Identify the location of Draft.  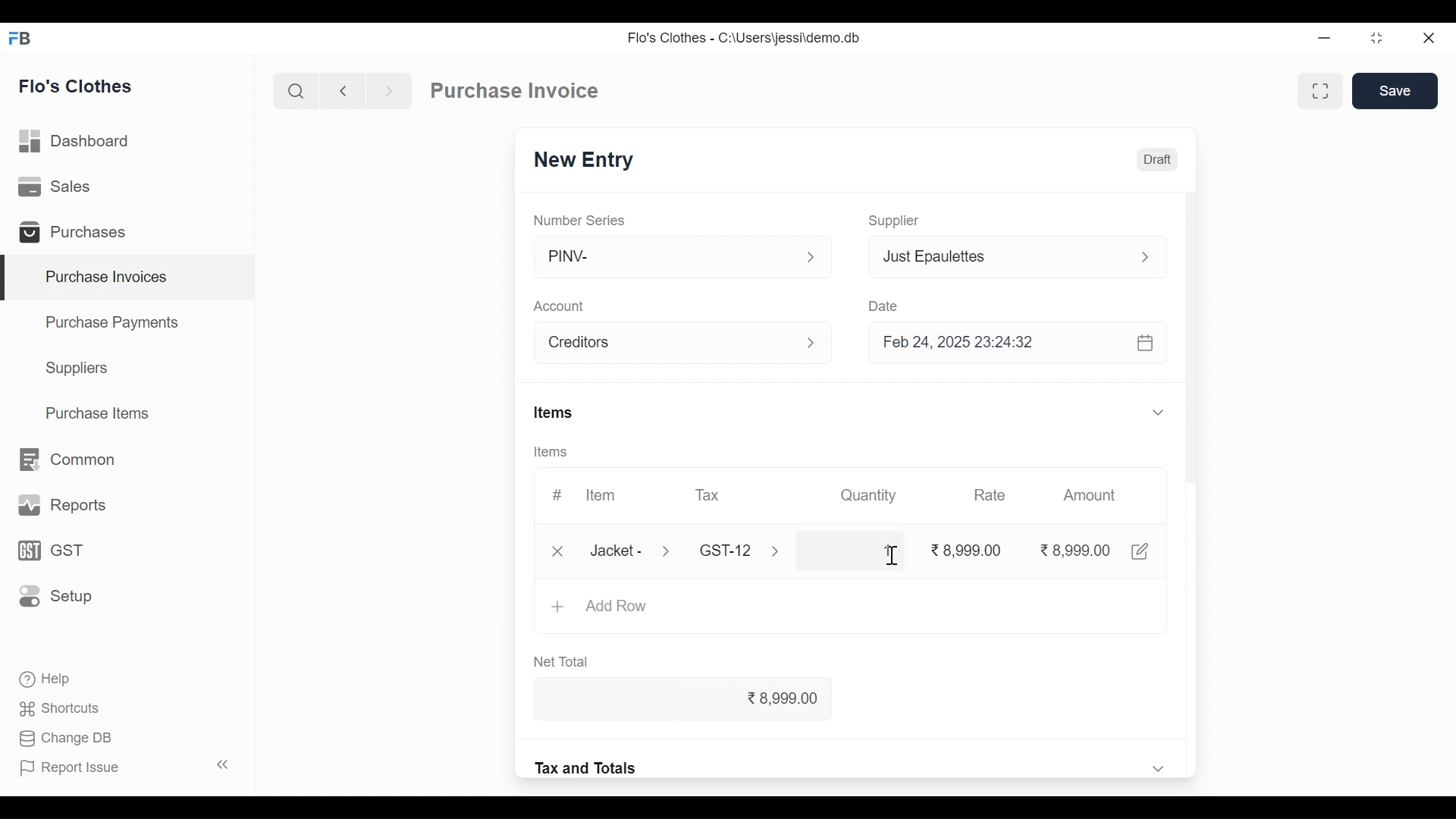
(1157, 158).